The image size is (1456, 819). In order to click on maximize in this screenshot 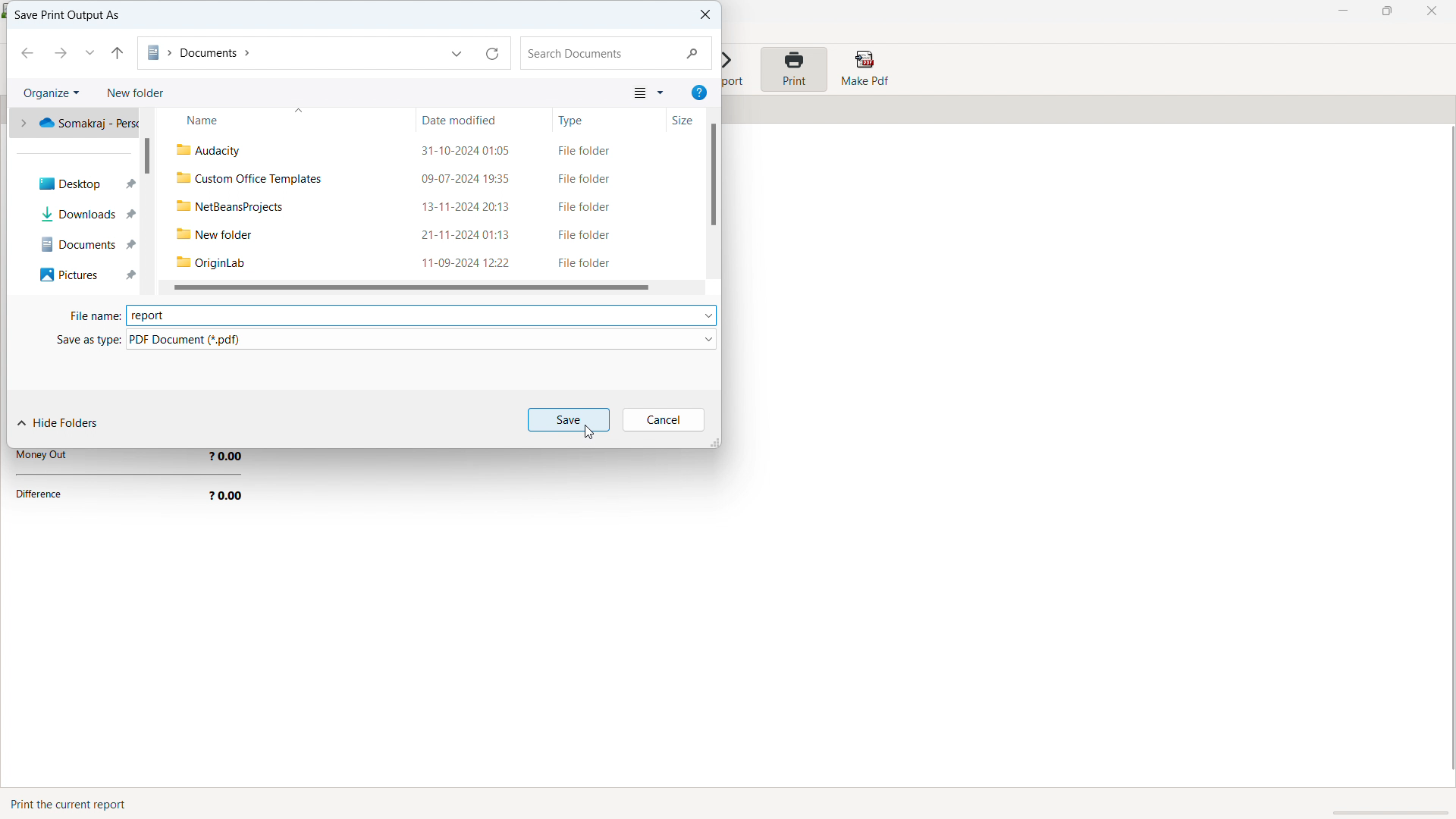, I will do `click(1386, 11)`.